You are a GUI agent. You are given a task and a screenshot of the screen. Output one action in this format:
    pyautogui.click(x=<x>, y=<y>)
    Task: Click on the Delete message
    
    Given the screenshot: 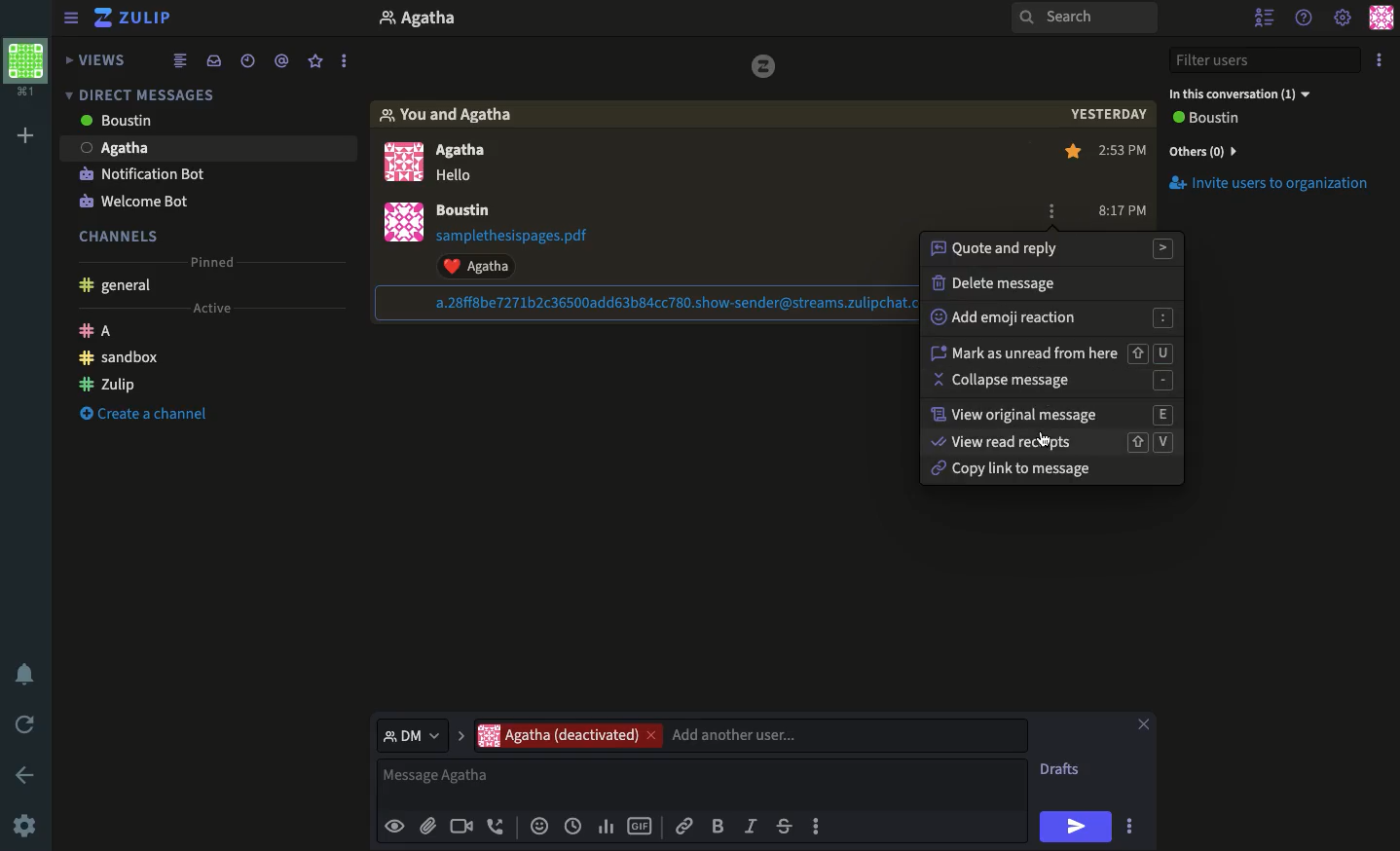 What is the action you would take?
    pyautogui.click(x=1001, y=284)
    